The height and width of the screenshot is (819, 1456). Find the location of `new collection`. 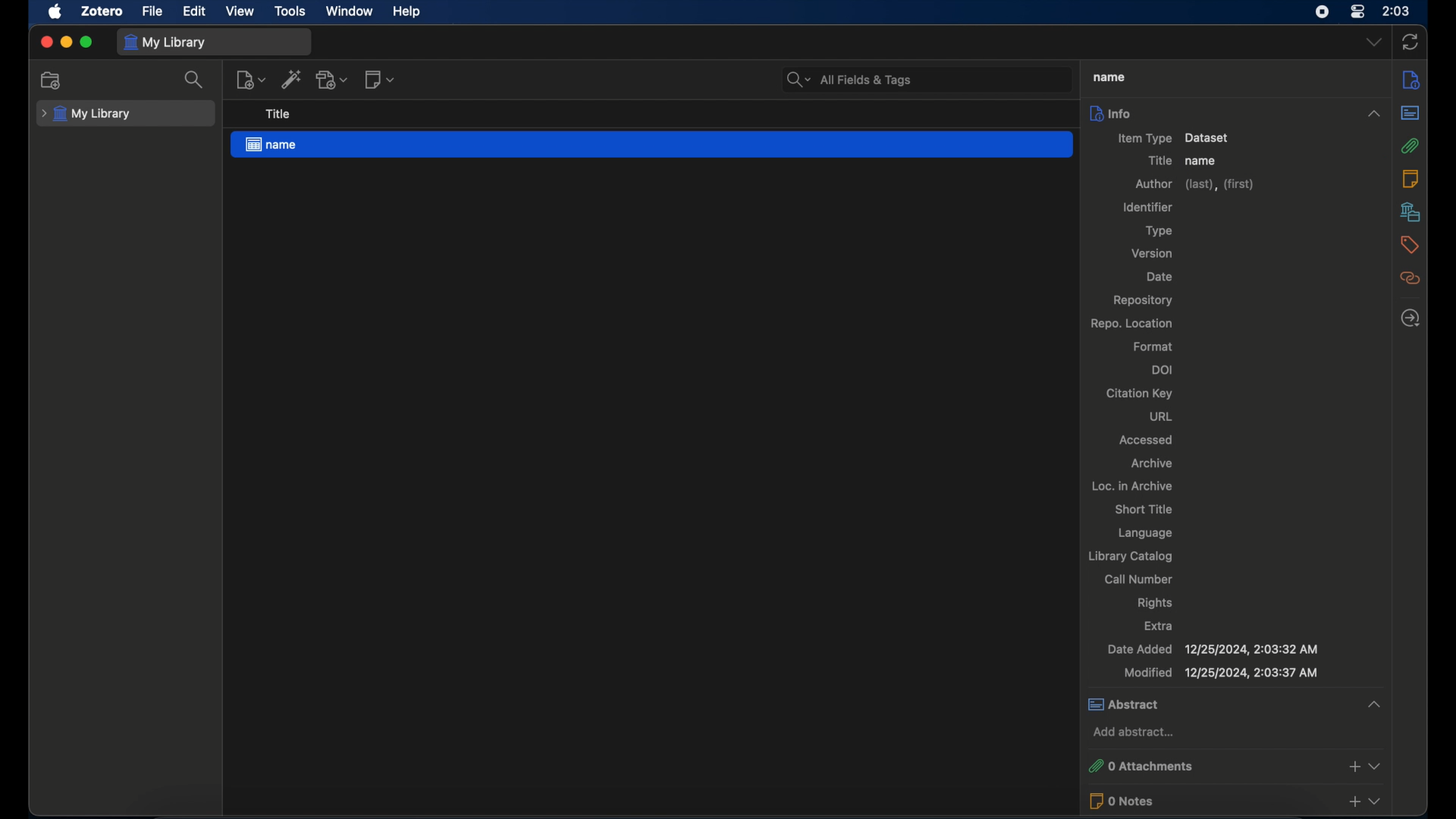

new collection is located at coordinates (52, 81).